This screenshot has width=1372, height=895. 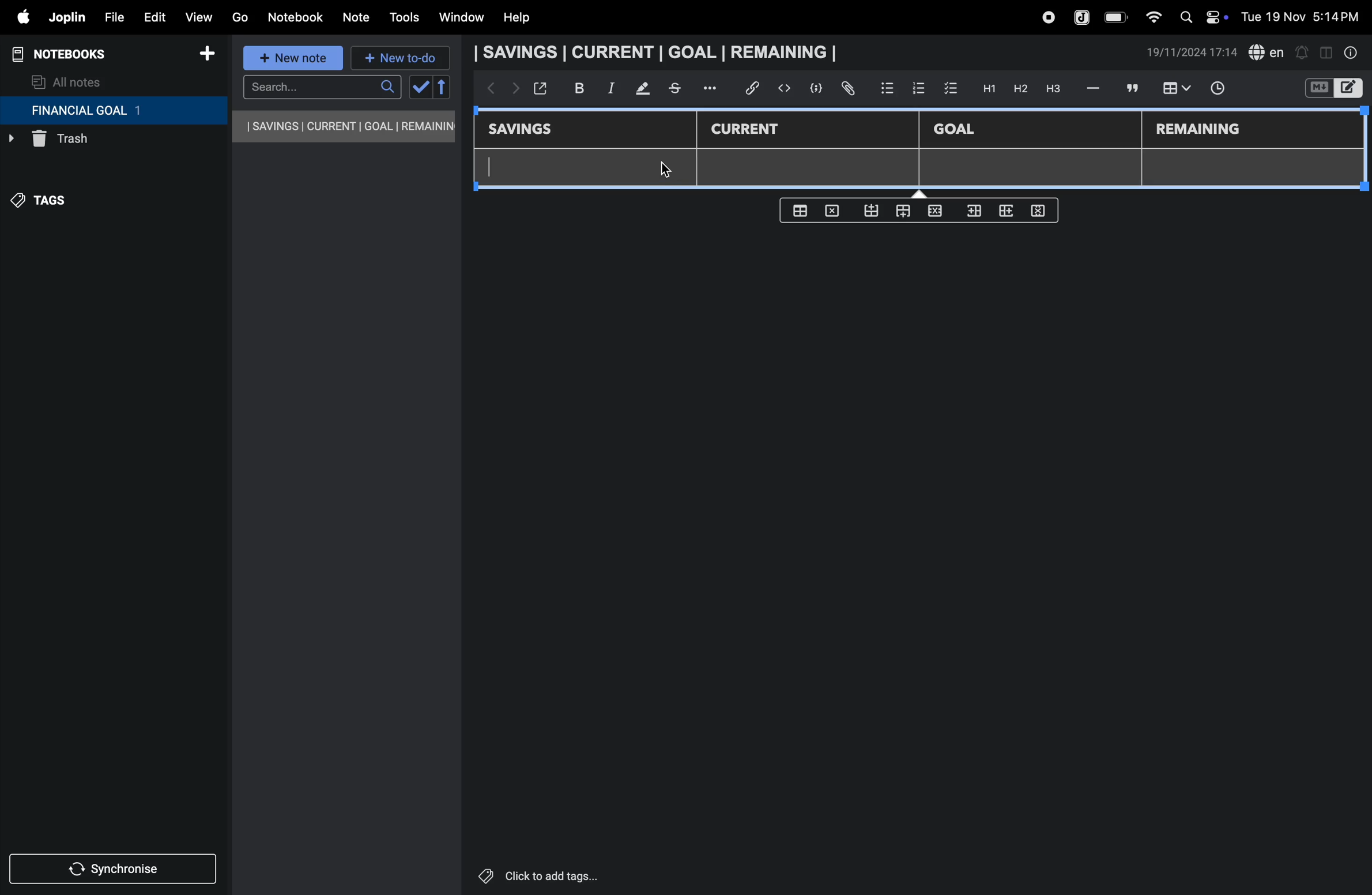 I want to click on new to-do, so click(x=401, y=59).